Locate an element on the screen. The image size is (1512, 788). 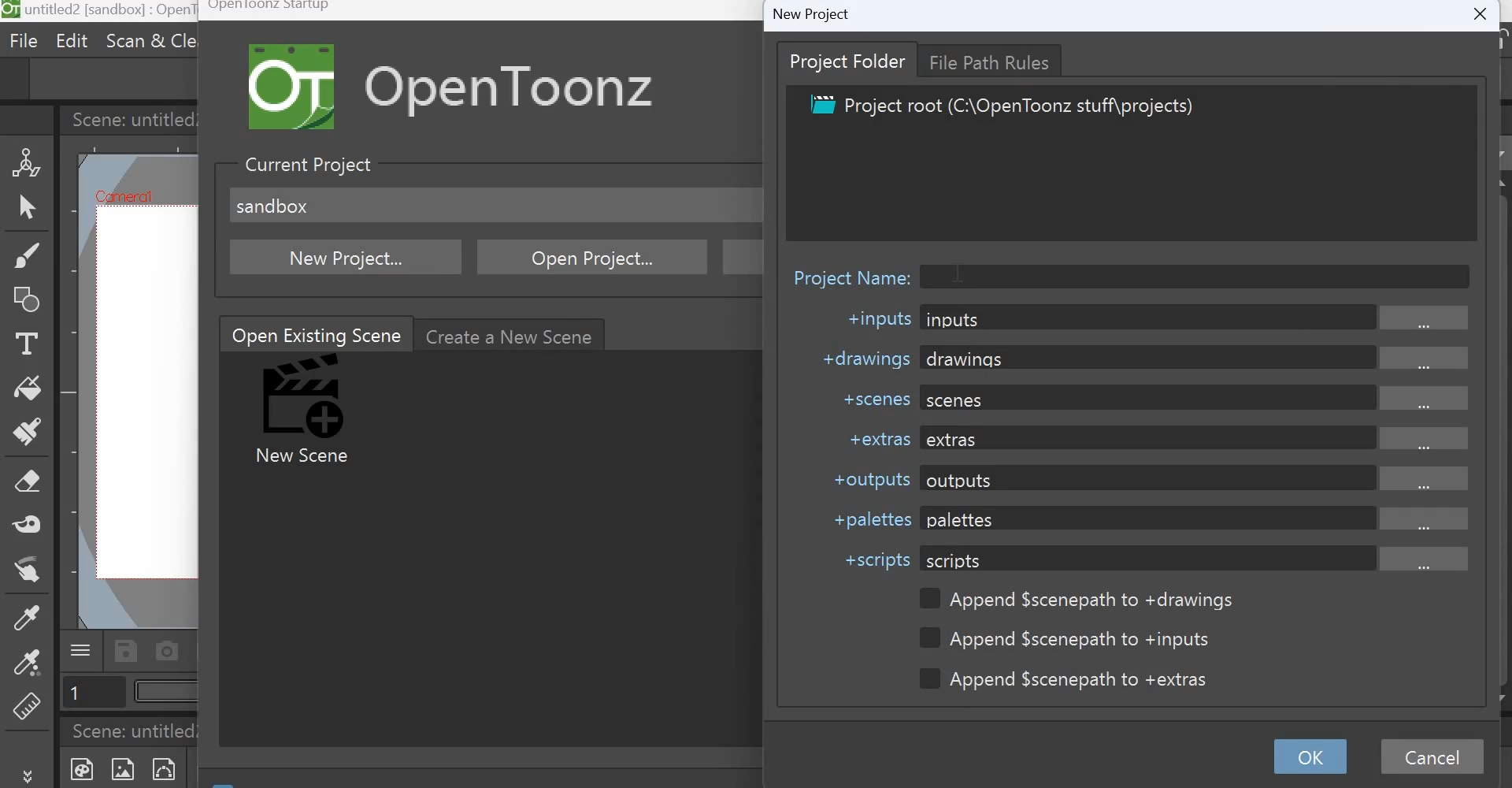
Cancel is located at coordinates (1437, 758).